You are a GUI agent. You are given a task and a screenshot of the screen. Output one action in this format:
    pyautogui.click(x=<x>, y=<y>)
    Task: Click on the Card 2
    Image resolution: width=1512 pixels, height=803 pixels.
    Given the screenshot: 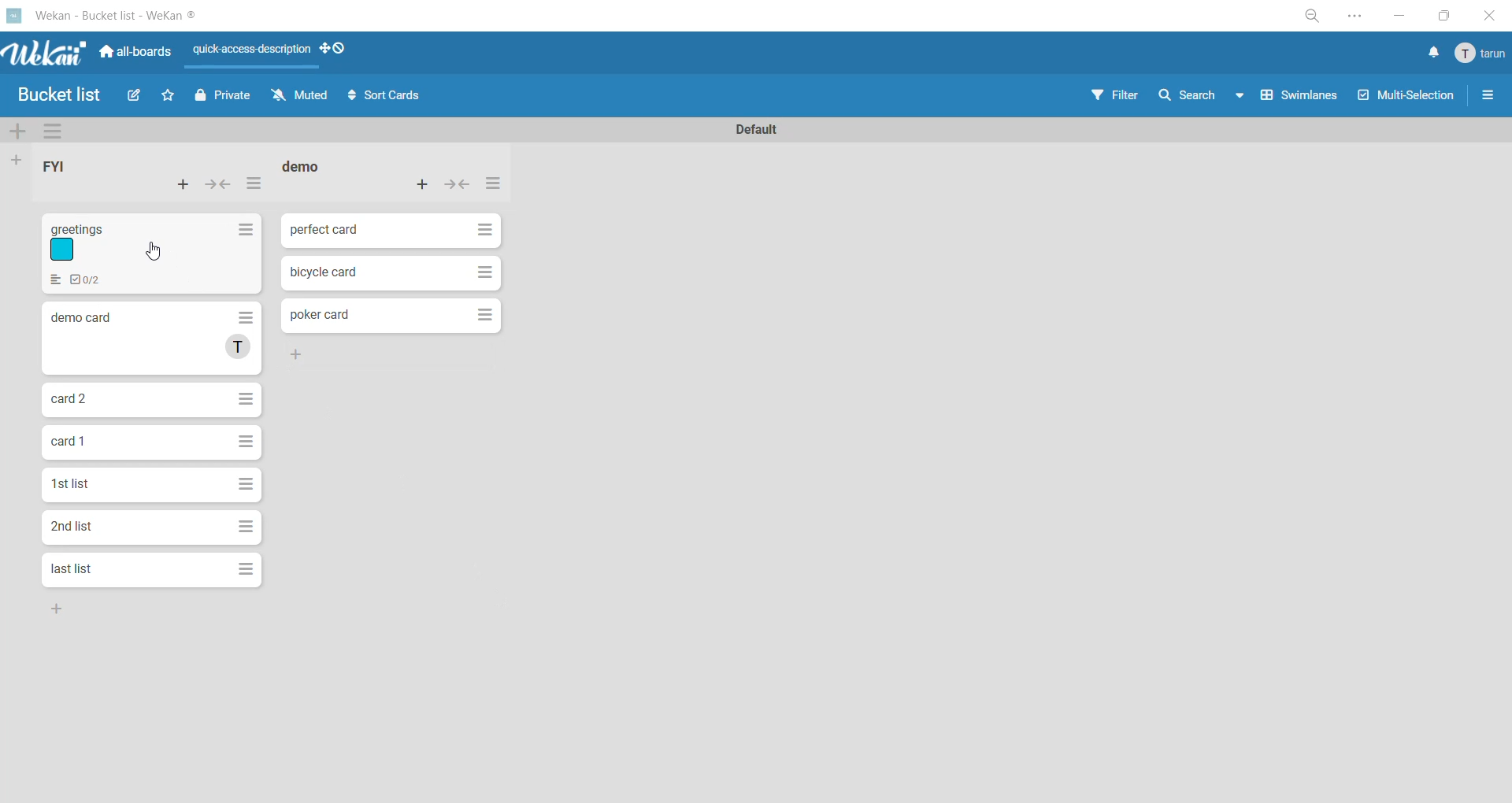 What is the action you would take?
    pyautogui.click(x=154, y=401)
    